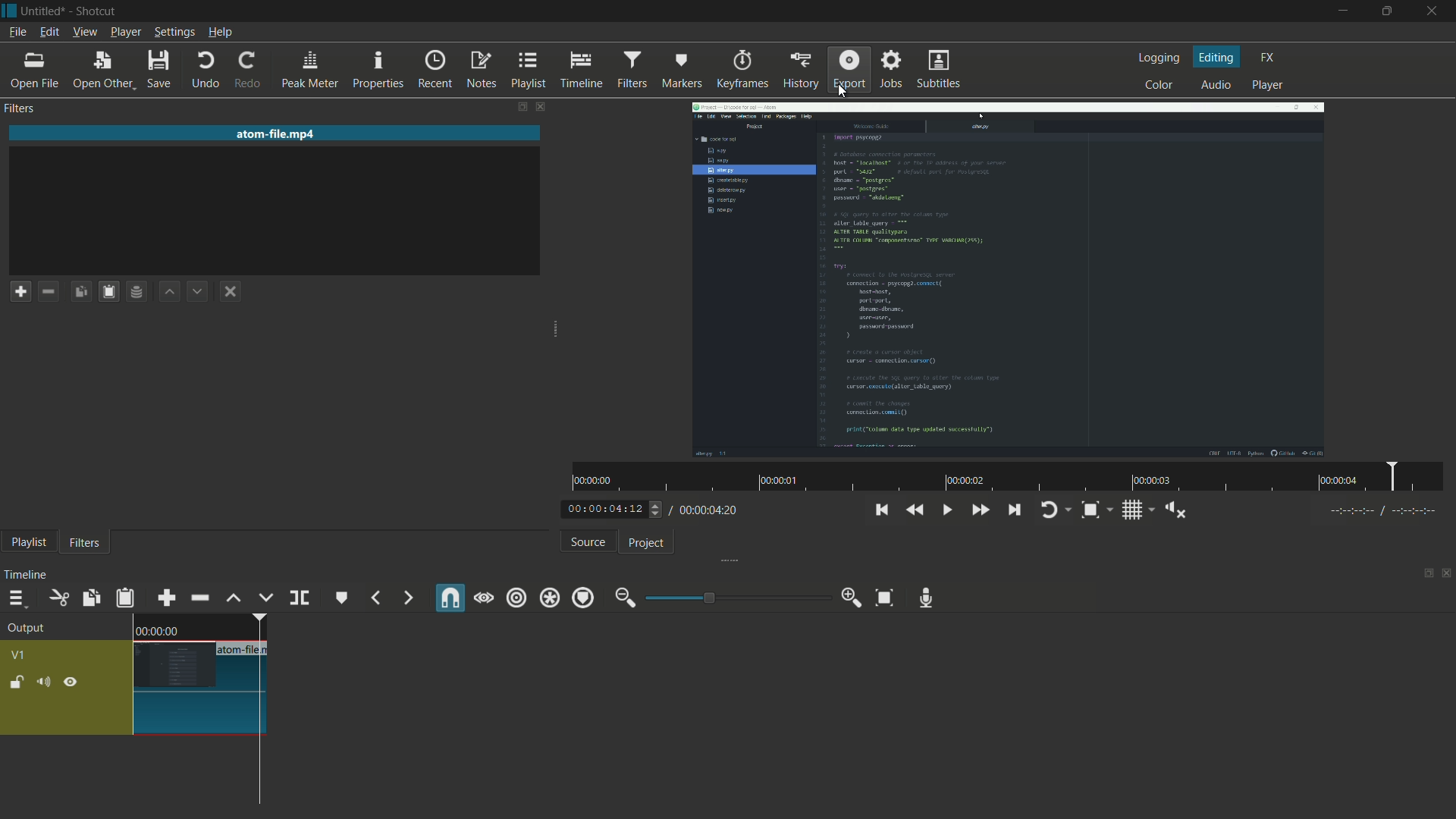 The image size is (1456, 819). What do you see at coordinates (1423, 574) in the screenshot?
I see `change layout` at bounding box center [1423, 574].